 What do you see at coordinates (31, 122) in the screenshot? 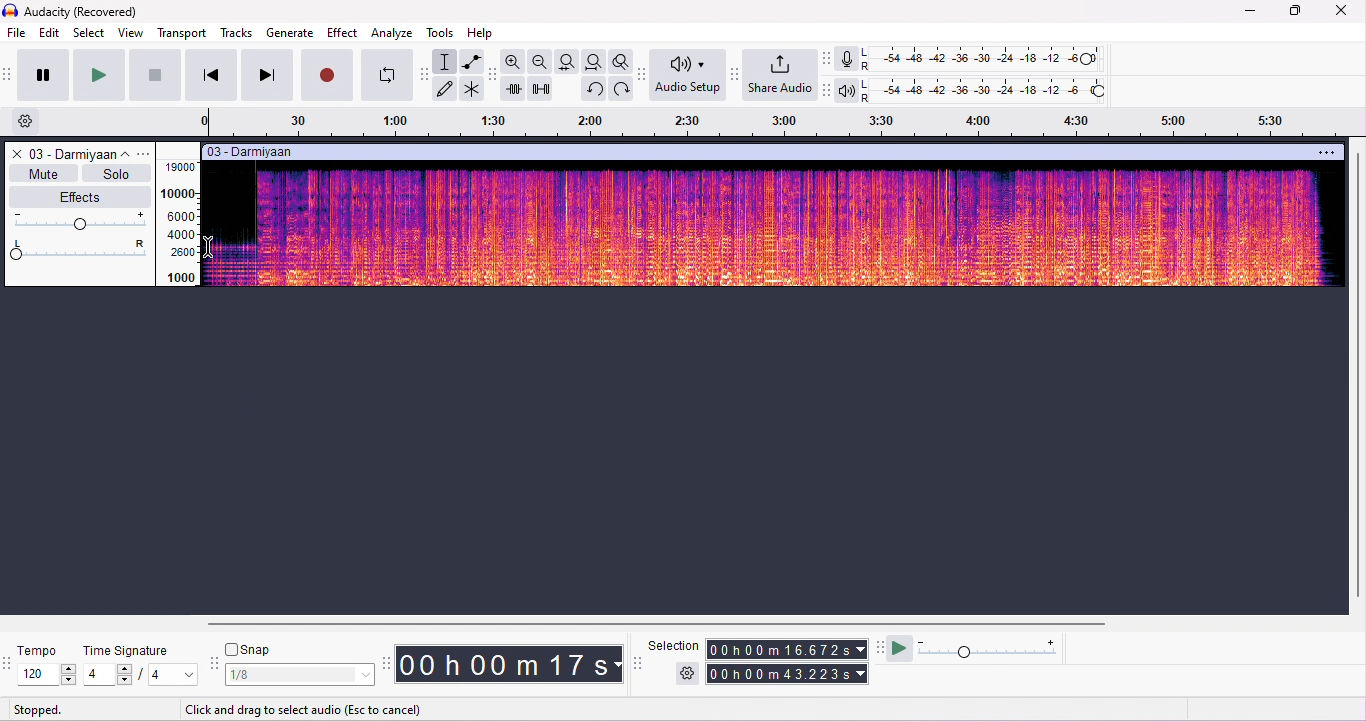
I see `settings` at bounding box center [31, 122].